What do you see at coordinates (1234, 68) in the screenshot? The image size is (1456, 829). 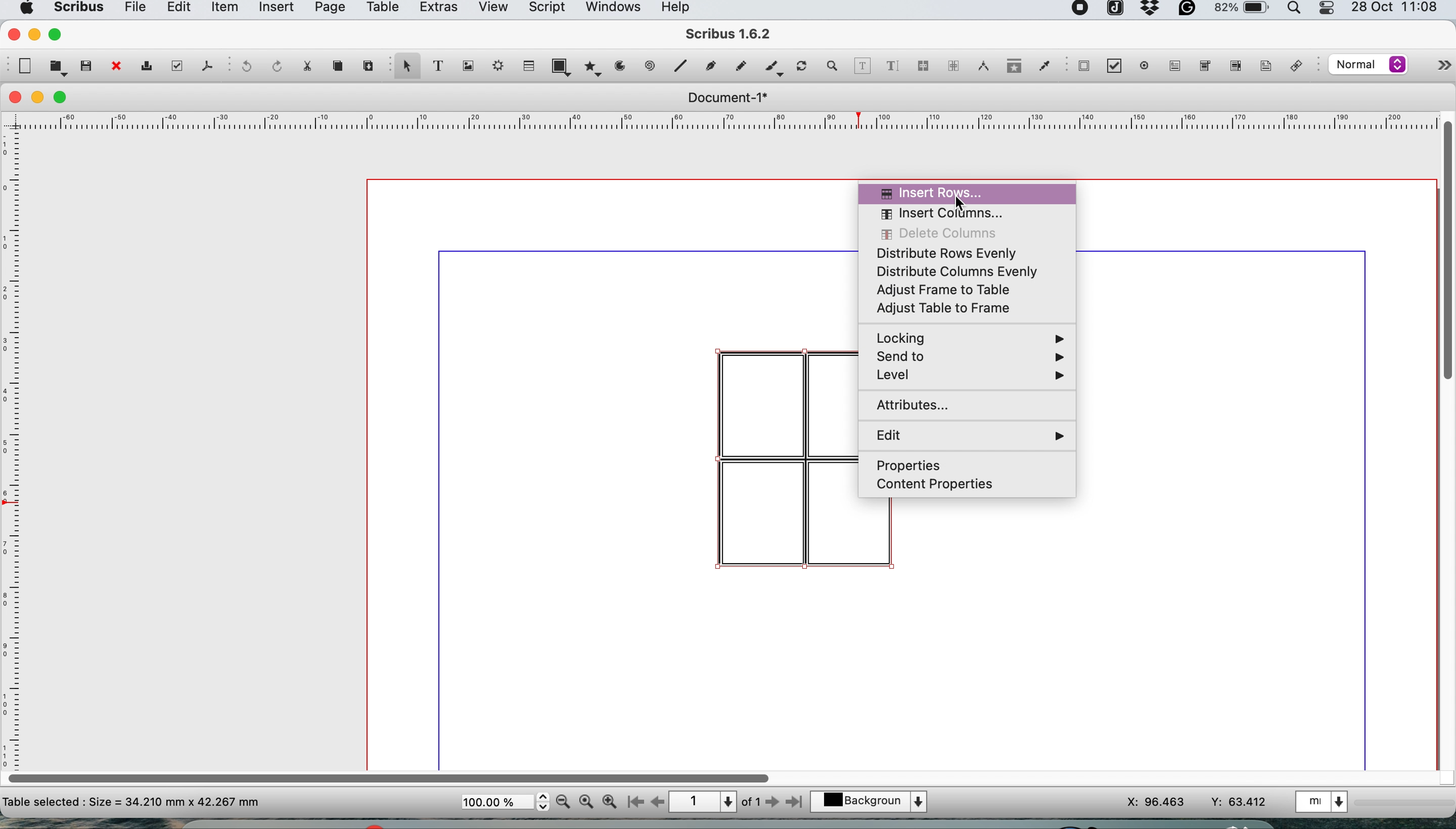 I see `pdf list box` at bounding box center [1234, 68].